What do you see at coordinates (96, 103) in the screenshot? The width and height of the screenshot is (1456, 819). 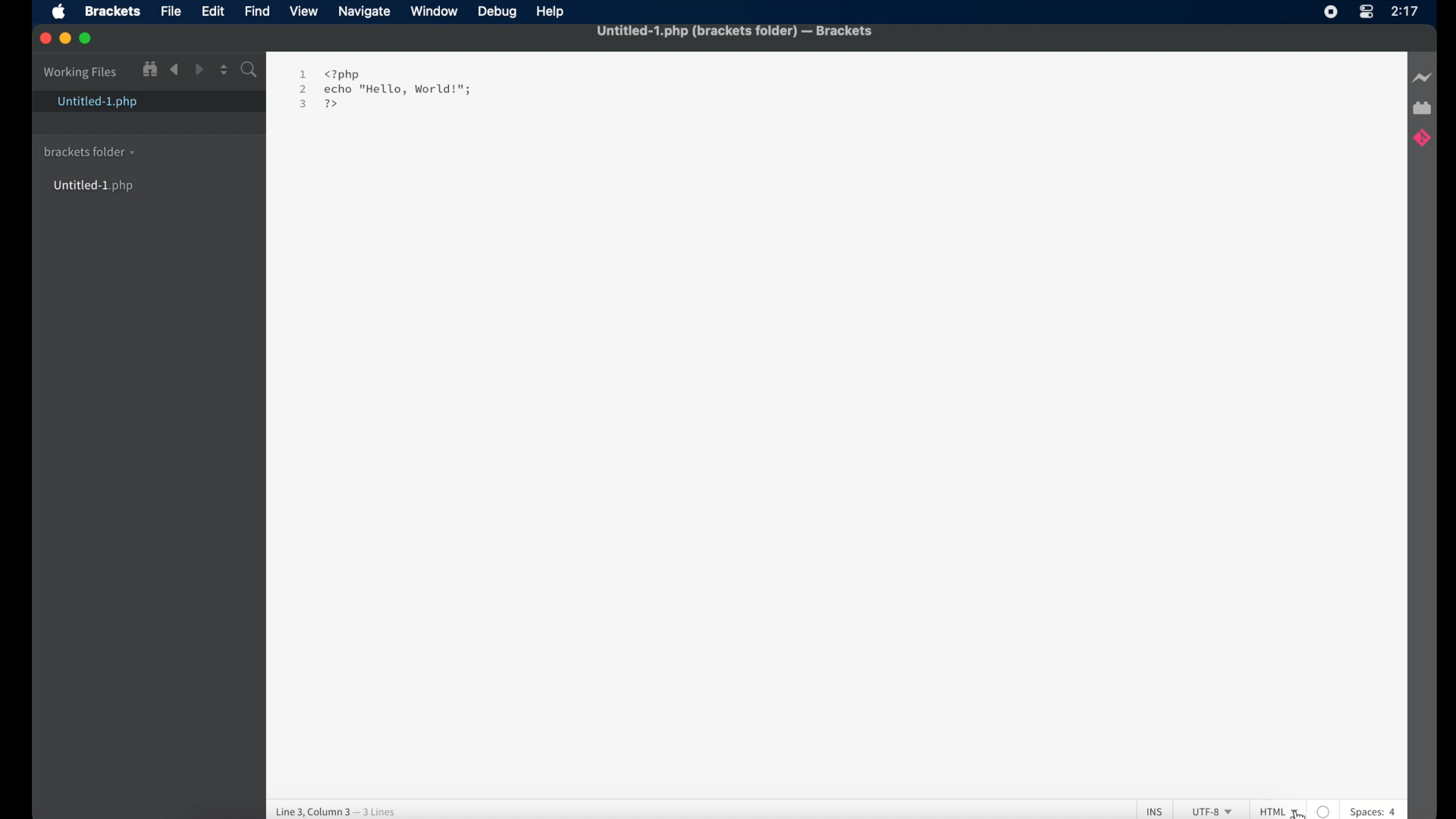 I see `untitled-1.php` at bounding box center [96, 103].